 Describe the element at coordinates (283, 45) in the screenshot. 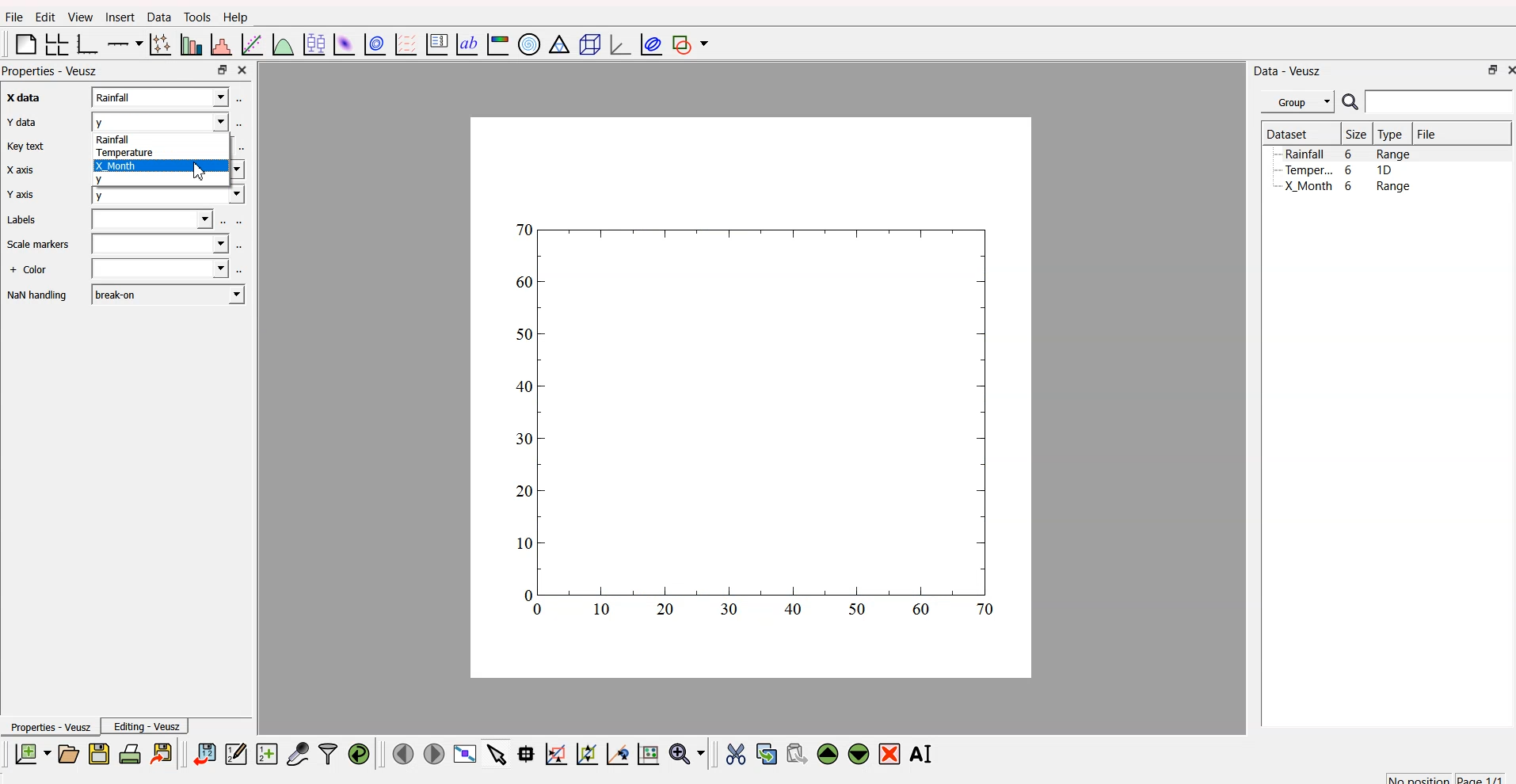

I see `plot function` at that location.